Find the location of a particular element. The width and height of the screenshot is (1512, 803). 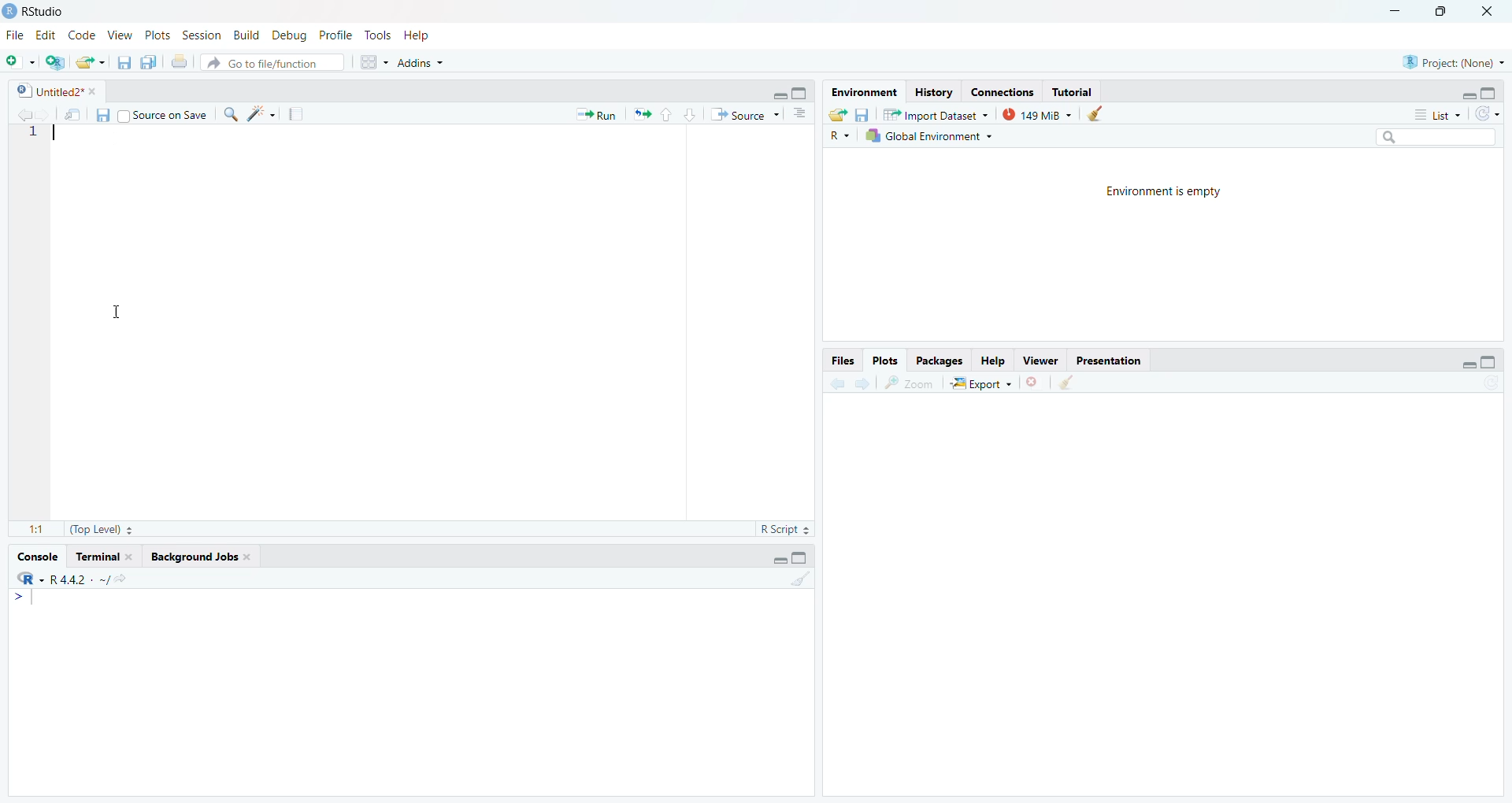

History is located at coordinates (936, 93).